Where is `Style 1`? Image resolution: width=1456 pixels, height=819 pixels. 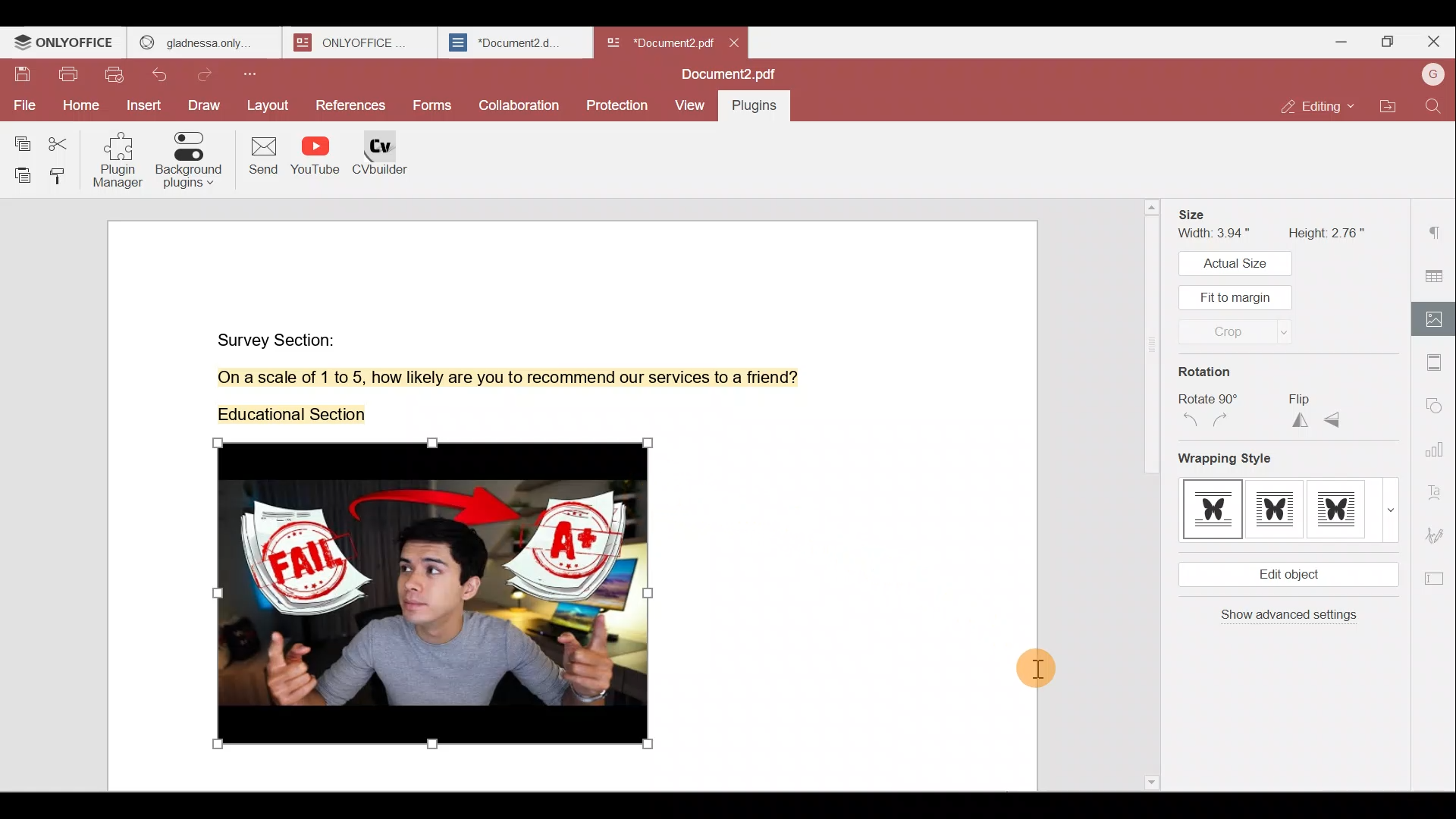 Style 1 is located at coordinates (1210, 510).